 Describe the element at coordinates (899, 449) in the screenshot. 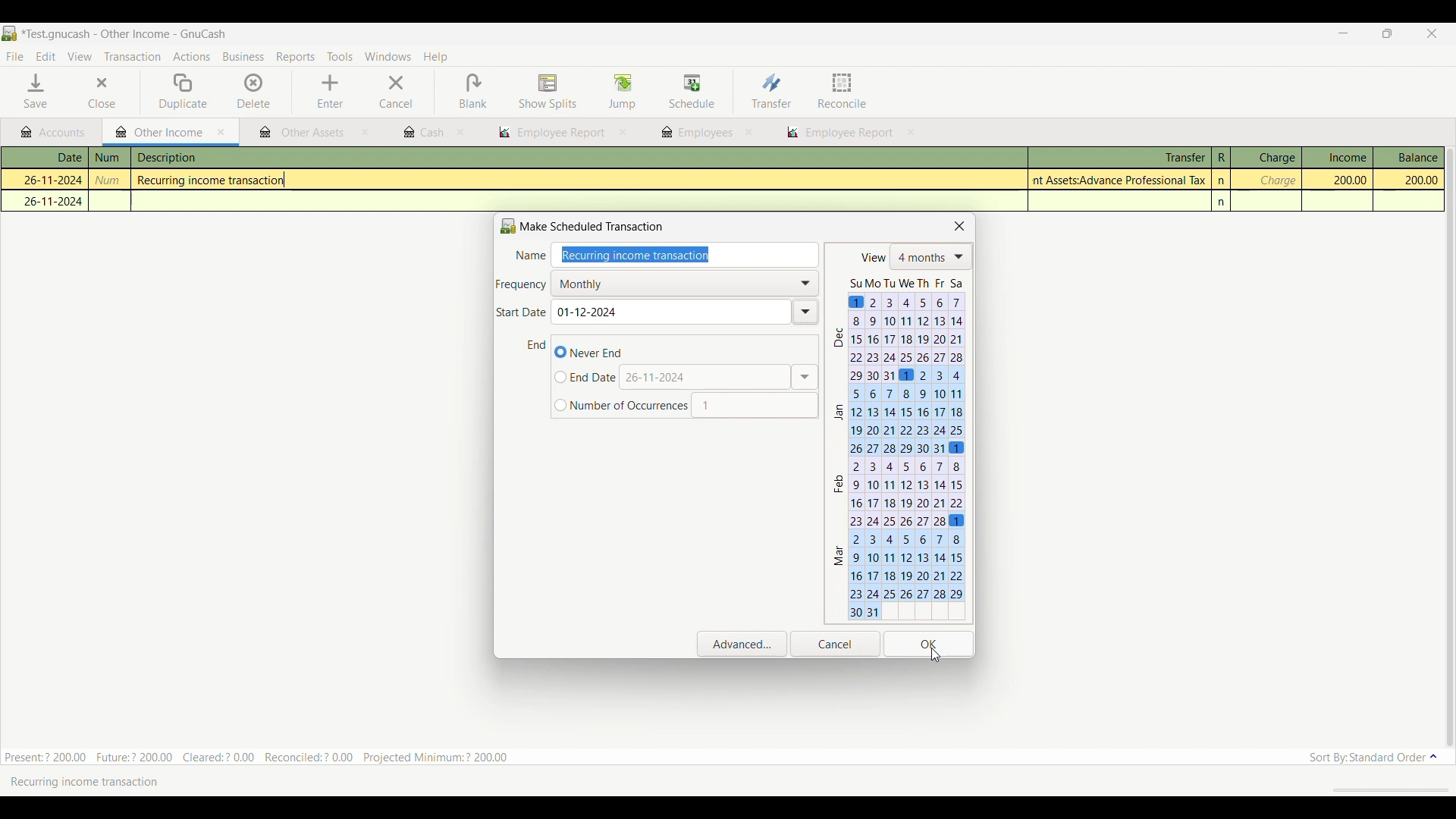

I see `Calendar changed according to start date selection` at that location.